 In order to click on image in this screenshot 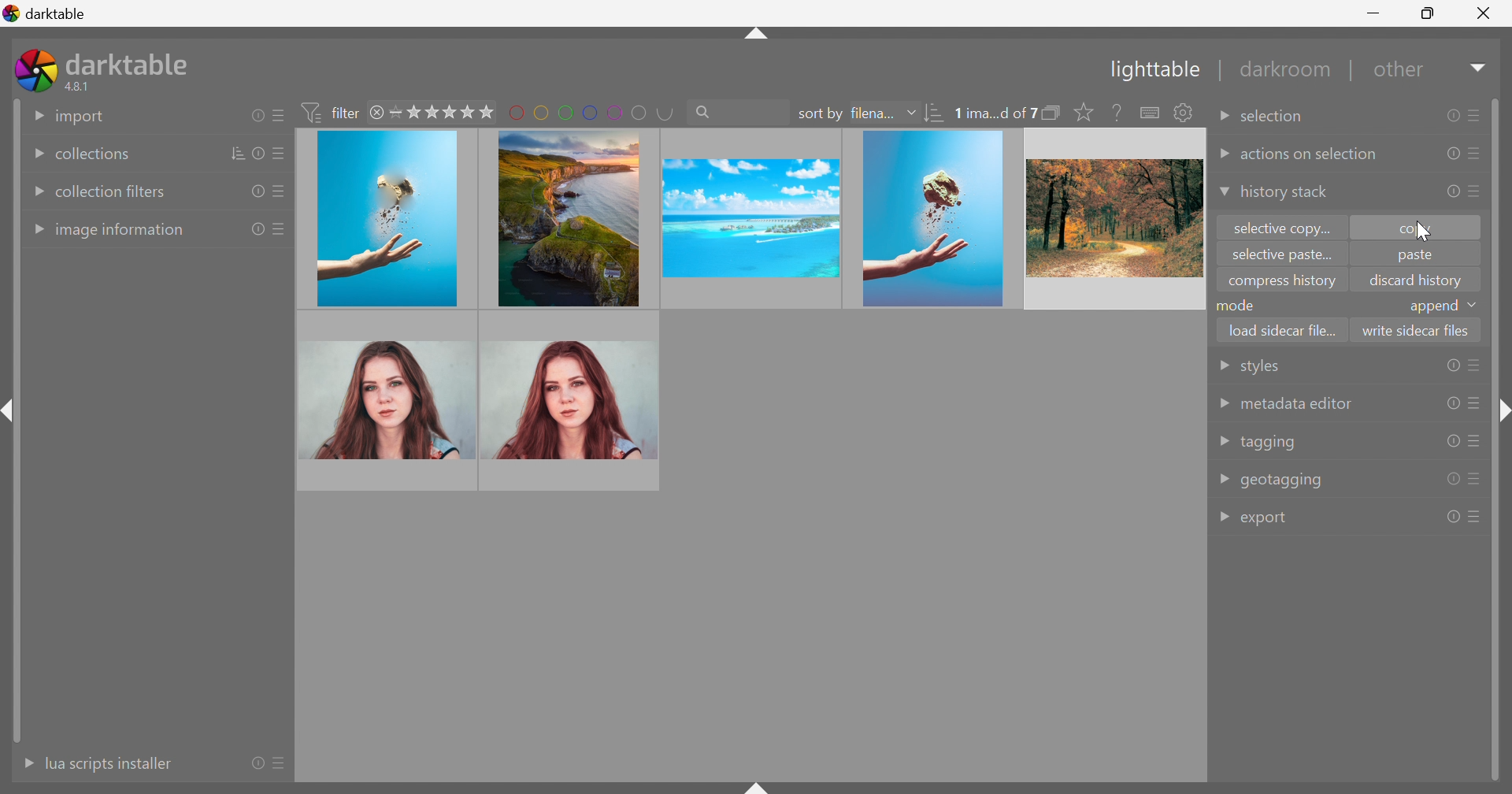, I will do `click(571, 399)`.